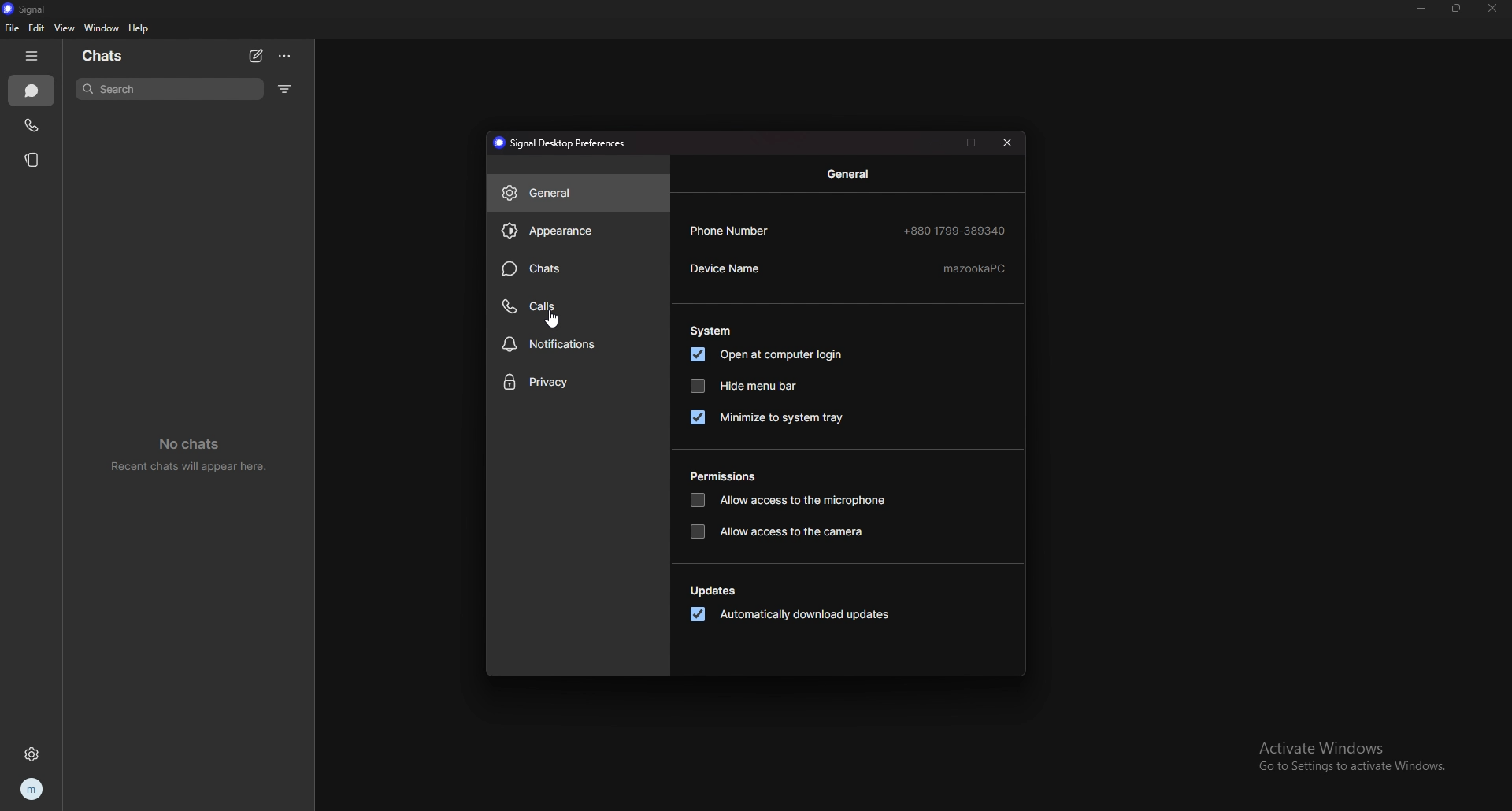 This screenshot has width=1512, height=811. Describe the element at coordinates (172, 88) in the screenshot. I see `search` at that location.